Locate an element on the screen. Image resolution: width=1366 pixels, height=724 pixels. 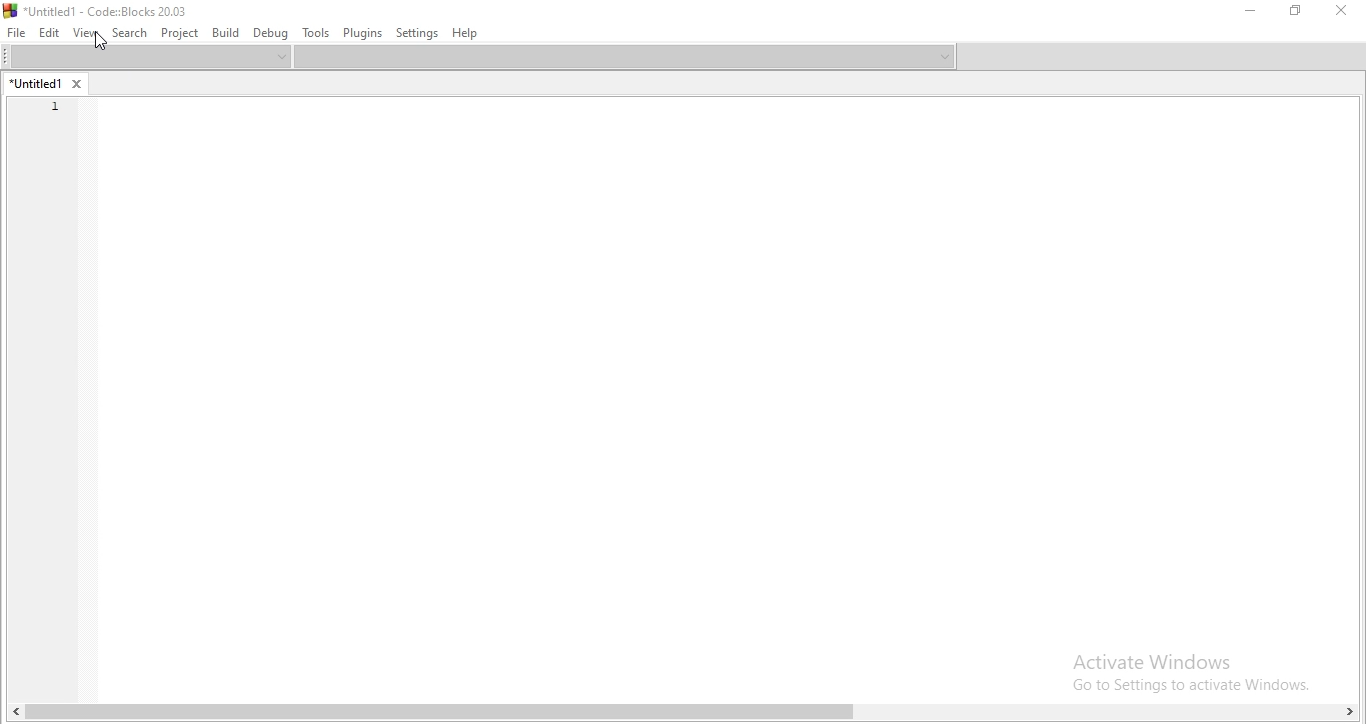
Minimise is located at coordinates (1250, 12).